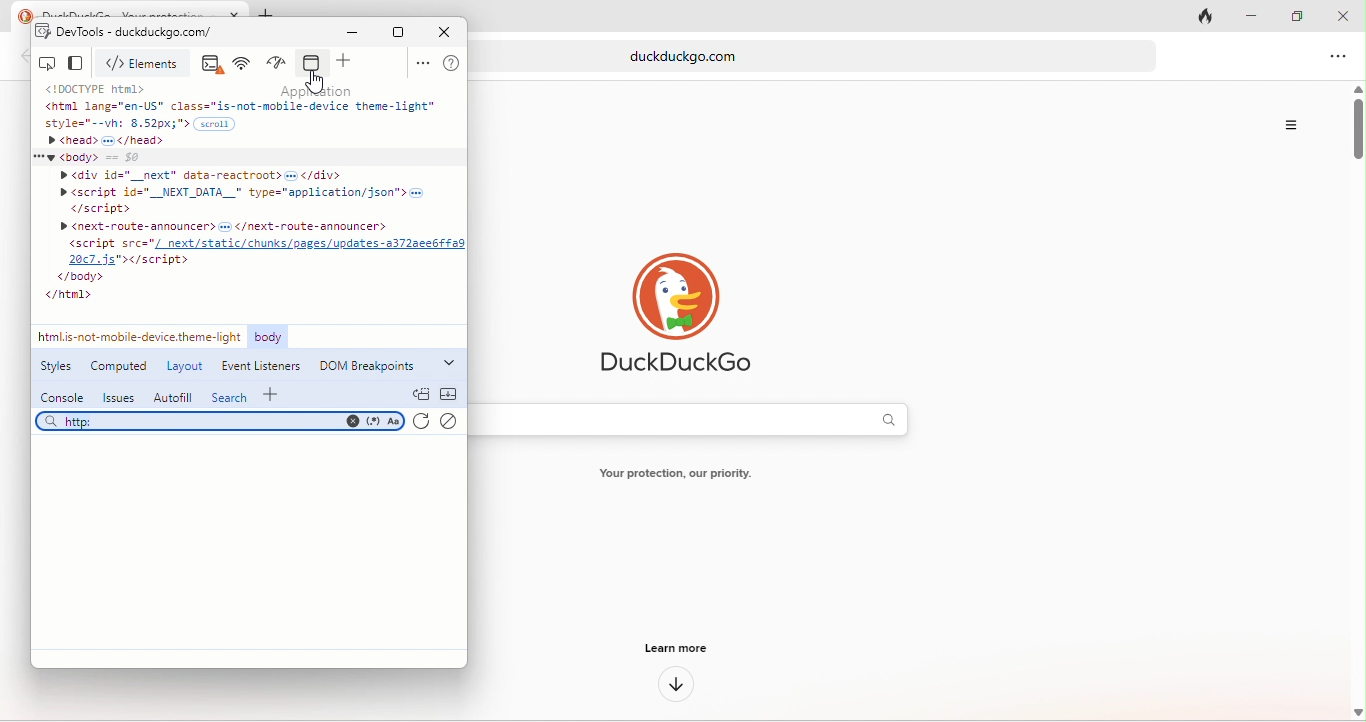 This screenshot has width=1366, height=722. I want to click on minimize, so click(345, 34).